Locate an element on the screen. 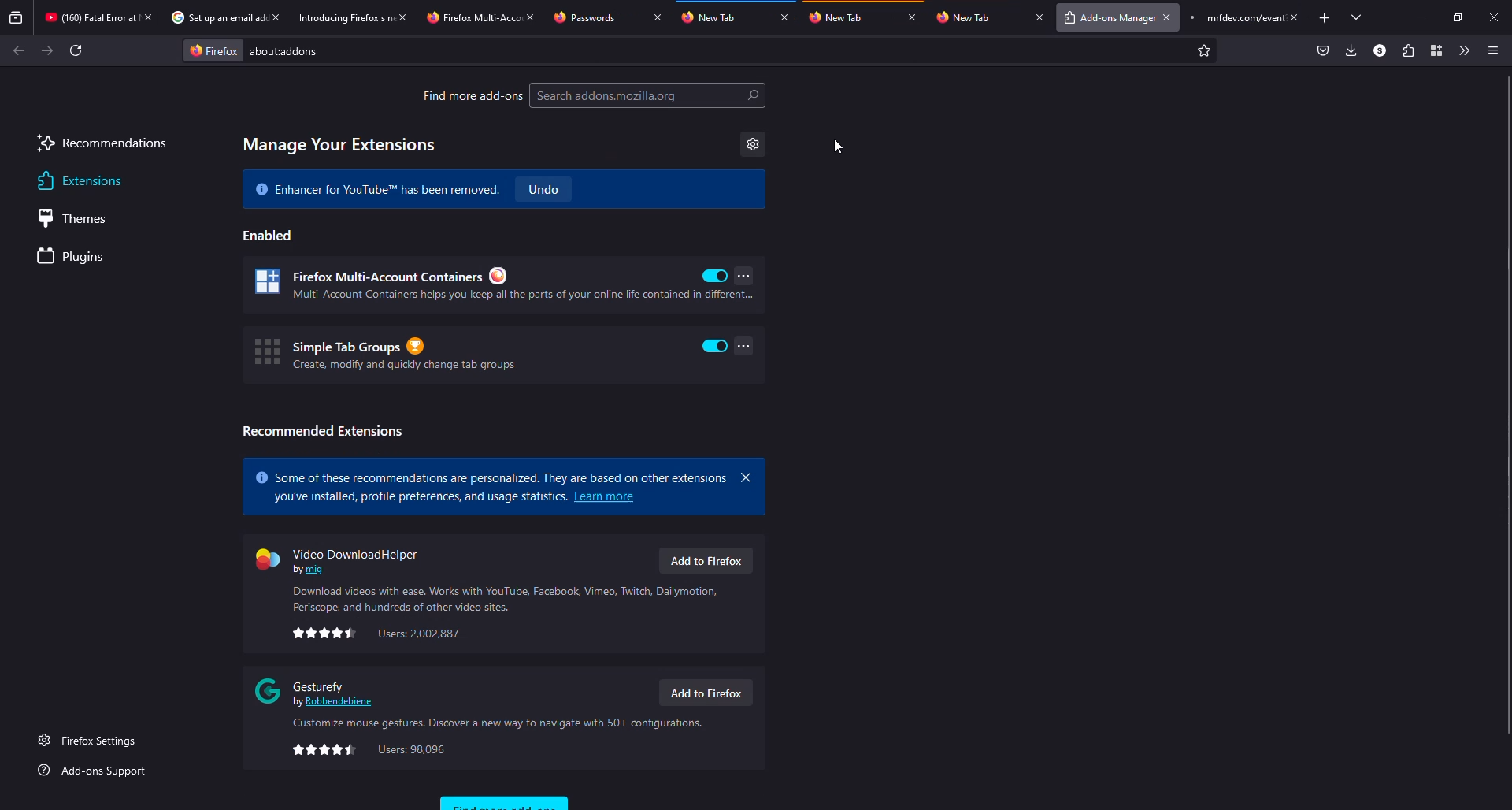 Image resolution: width=1512 pixels, height=810 pixels. downloads is located at coordinates (1350, 50).